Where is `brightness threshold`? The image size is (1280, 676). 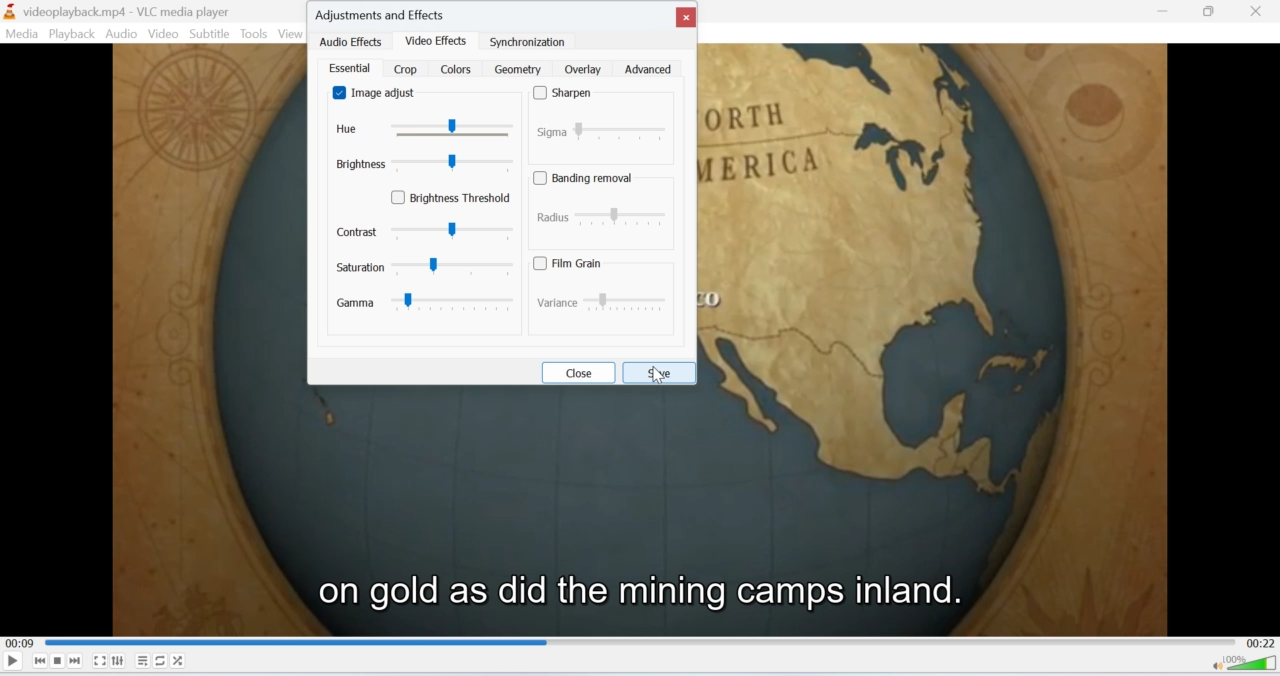
brightness threshold is located at coordinates (455, 197).